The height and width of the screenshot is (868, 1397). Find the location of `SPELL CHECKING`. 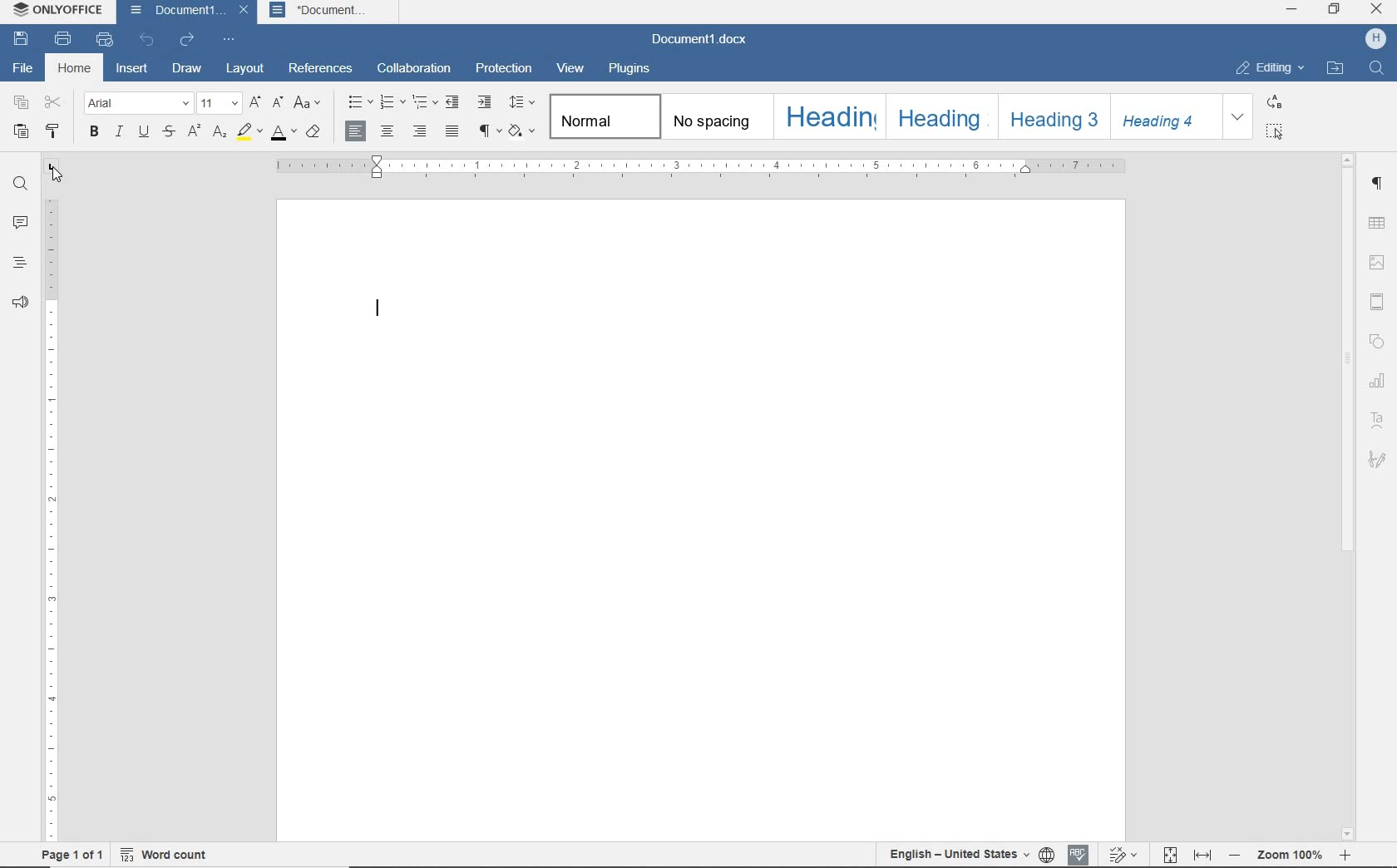

SPELL CHECKING is located at coordinates (1077, 855).